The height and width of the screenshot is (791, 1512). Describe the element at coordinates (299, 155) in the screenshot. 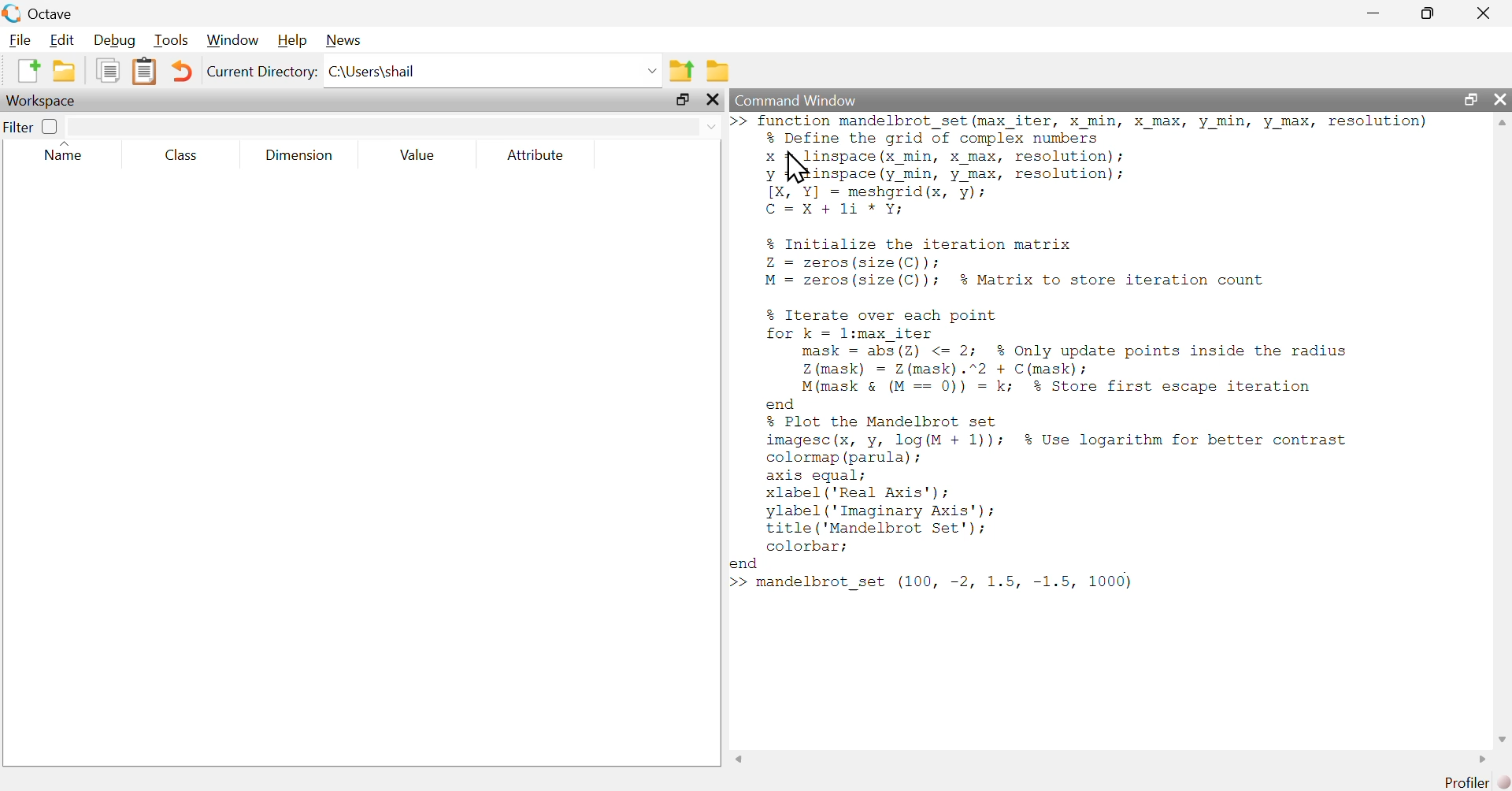

I see `Dimension` at that location.